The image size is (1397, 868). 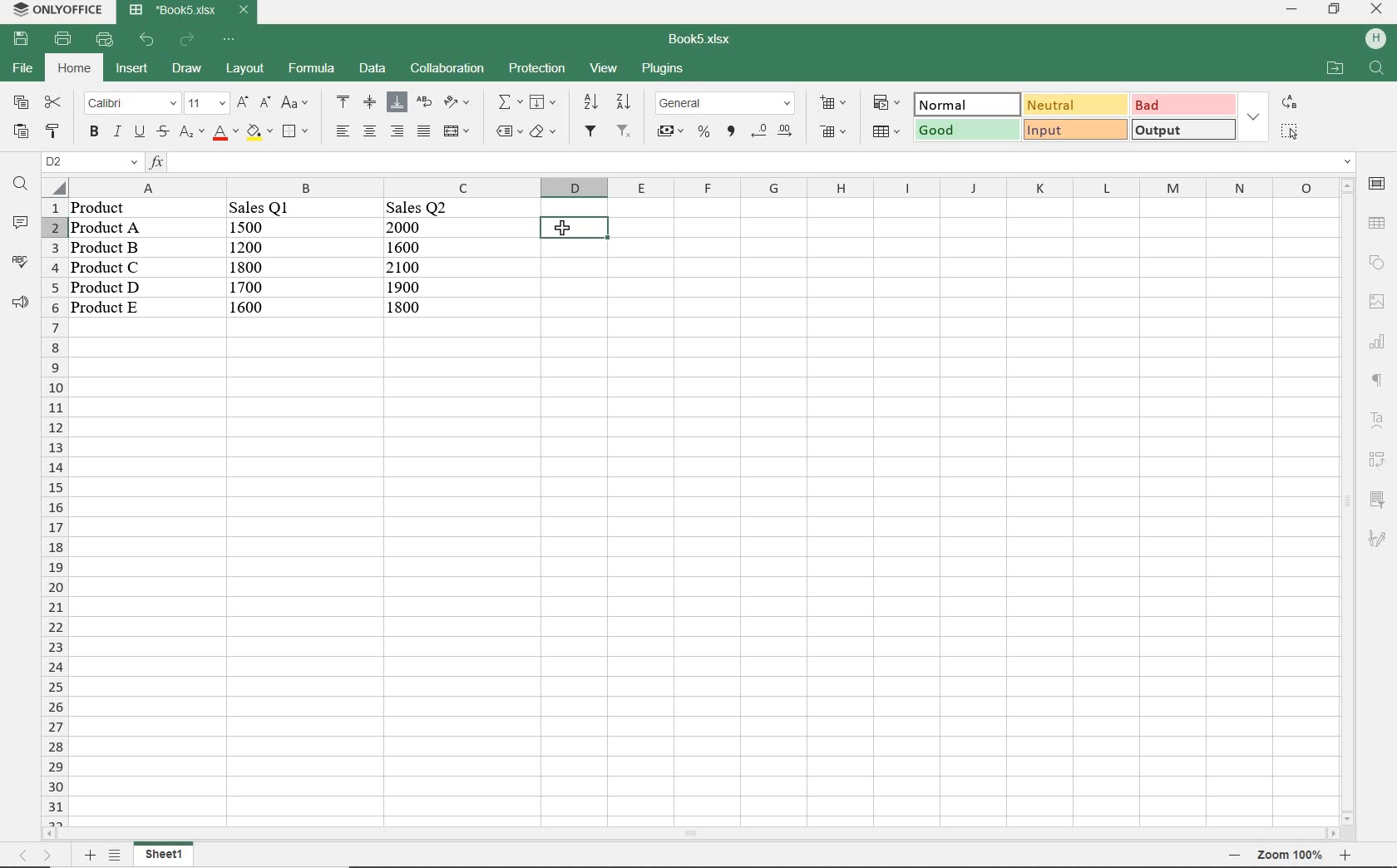 What do you see at coordinates (732, 131) in the screenshot?
I see `comma style` at bounding box center [732, 131].